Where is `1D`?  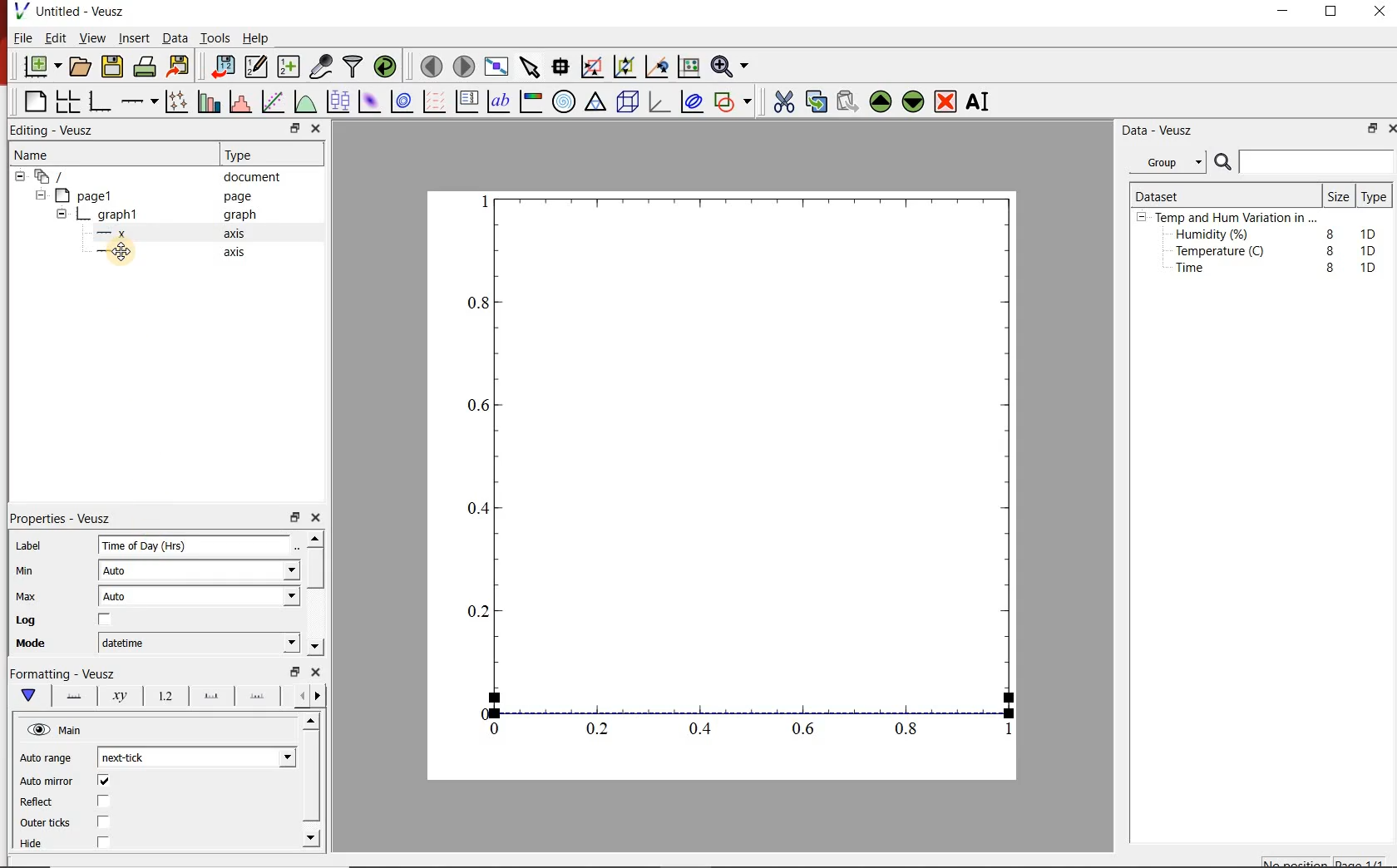
1D is located at coordinates (1368, 267).